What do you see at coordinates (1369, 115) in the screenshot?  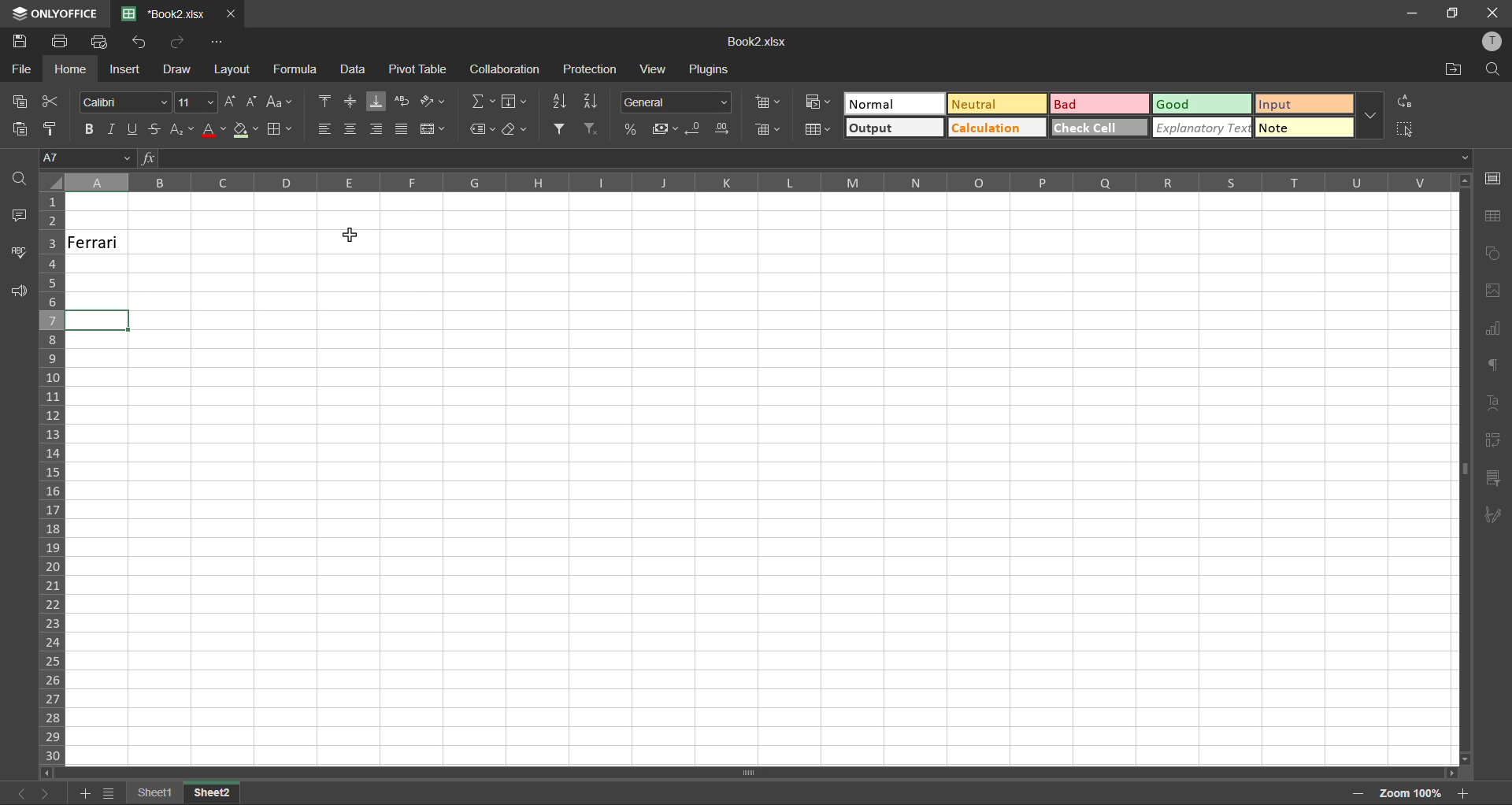 I see `more options` at bounding box center [1369, 115].